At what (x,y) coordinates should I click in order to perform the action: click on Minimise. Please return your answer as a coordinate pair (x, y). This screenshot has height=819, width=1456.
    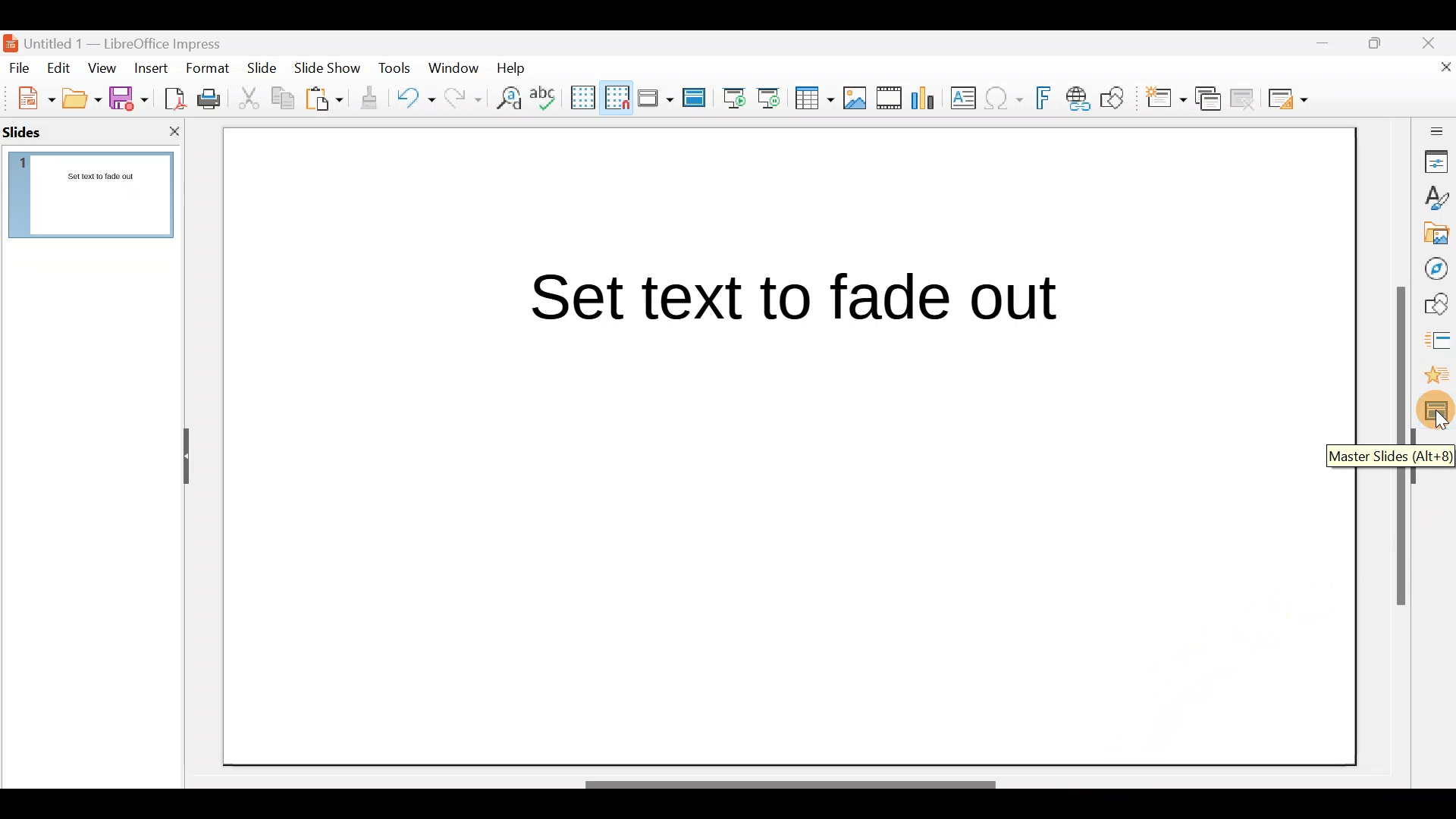
    Looking at the image, I should click on (1320, 50).